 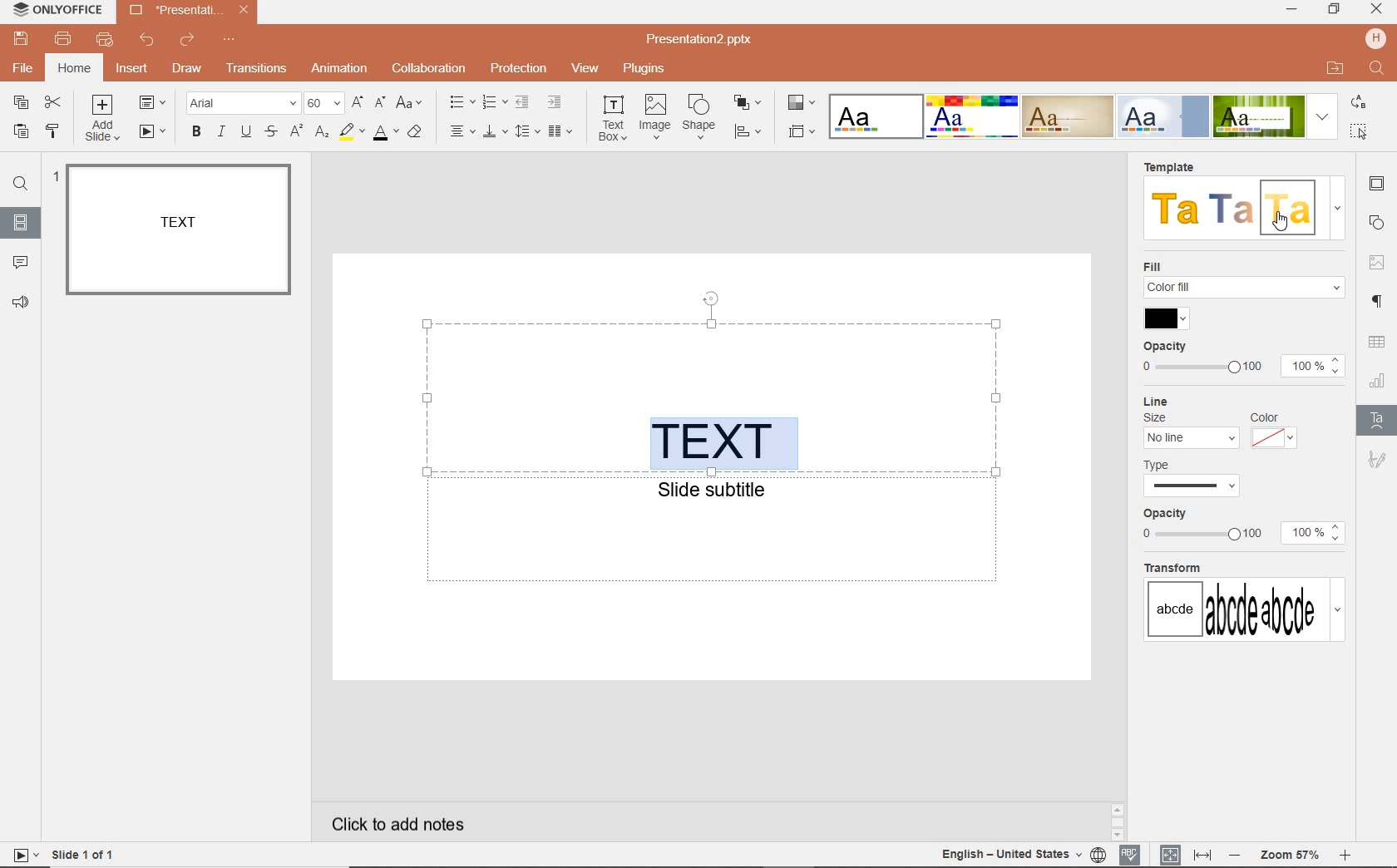 I want to click on SLIDE1, so click(x=178, y=230).